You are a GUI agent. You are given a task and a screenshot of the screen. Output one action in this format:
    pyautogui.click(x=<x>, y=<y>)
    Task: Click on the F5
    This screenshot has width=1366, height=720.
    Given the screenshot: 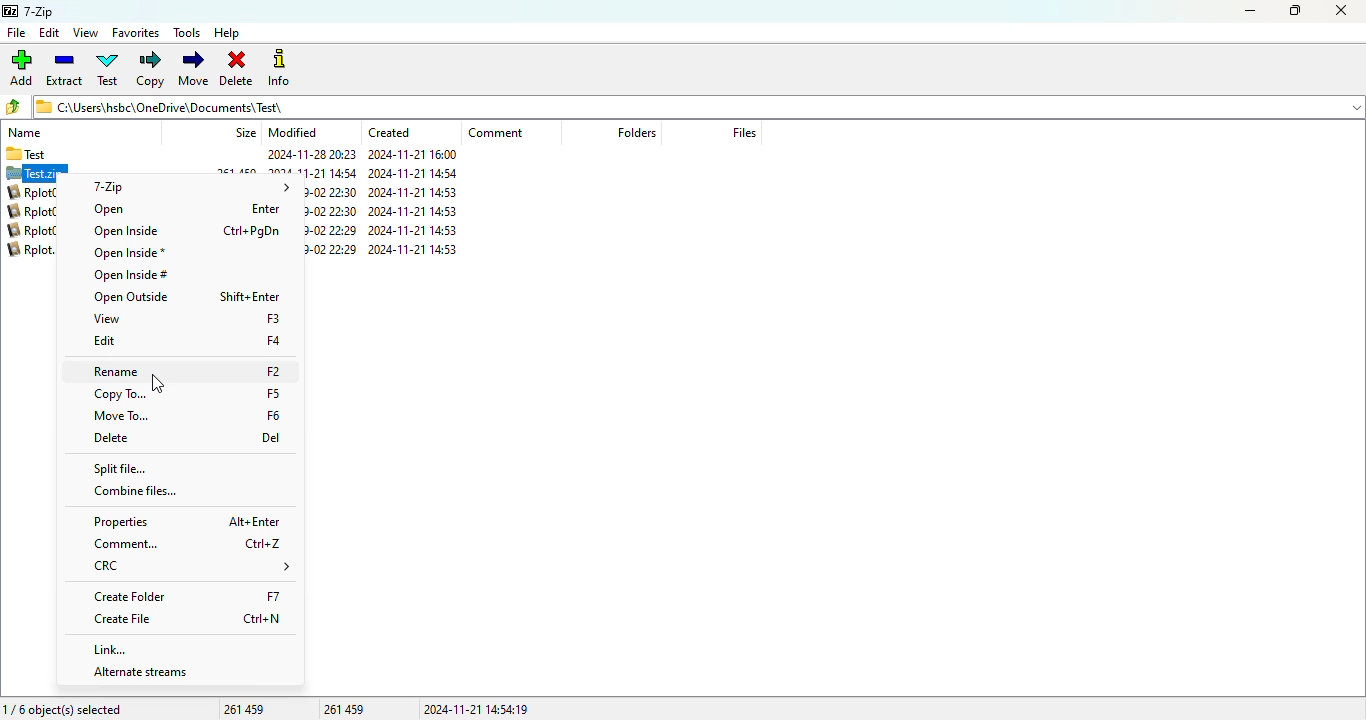 What is the action you would take?
    pyautogui.click(x=273, y=393)
    